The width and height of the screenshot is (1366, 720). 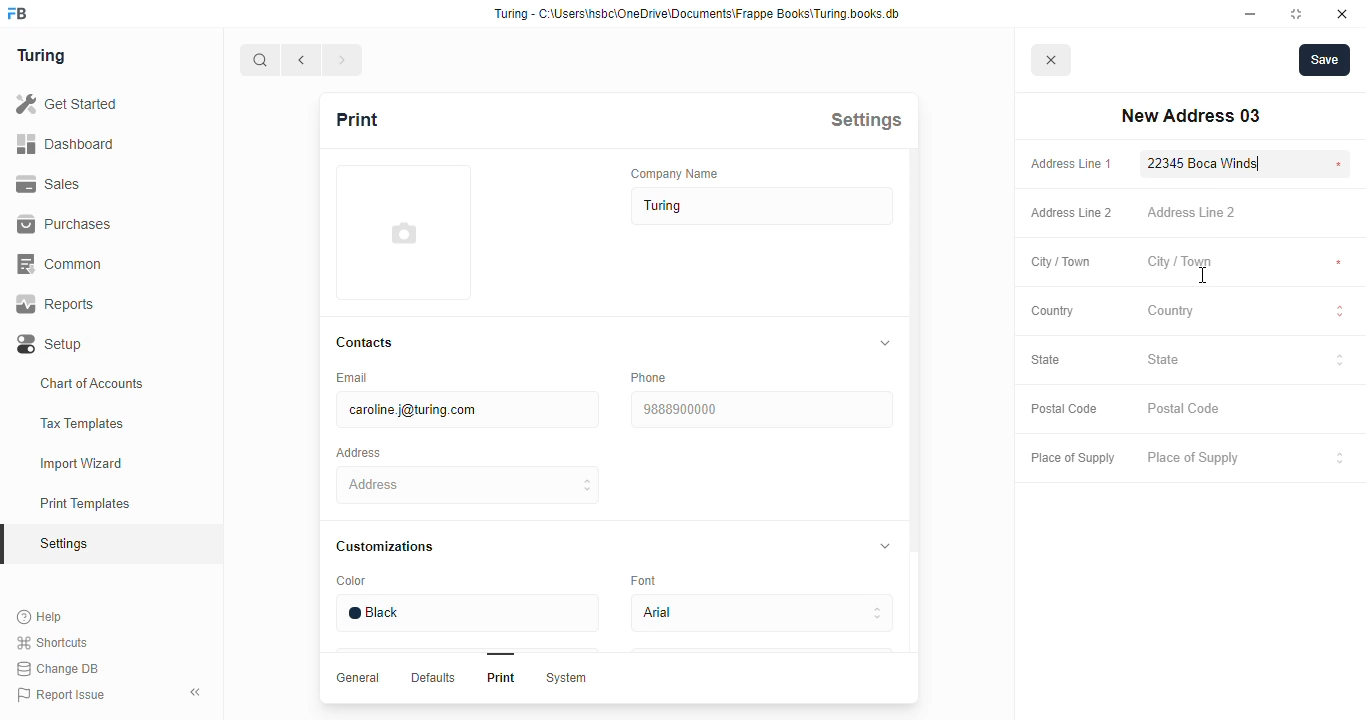 What do you see at coordinates (358, 677) in the screenshot?
I see `General` at bounding box center [358, 677].